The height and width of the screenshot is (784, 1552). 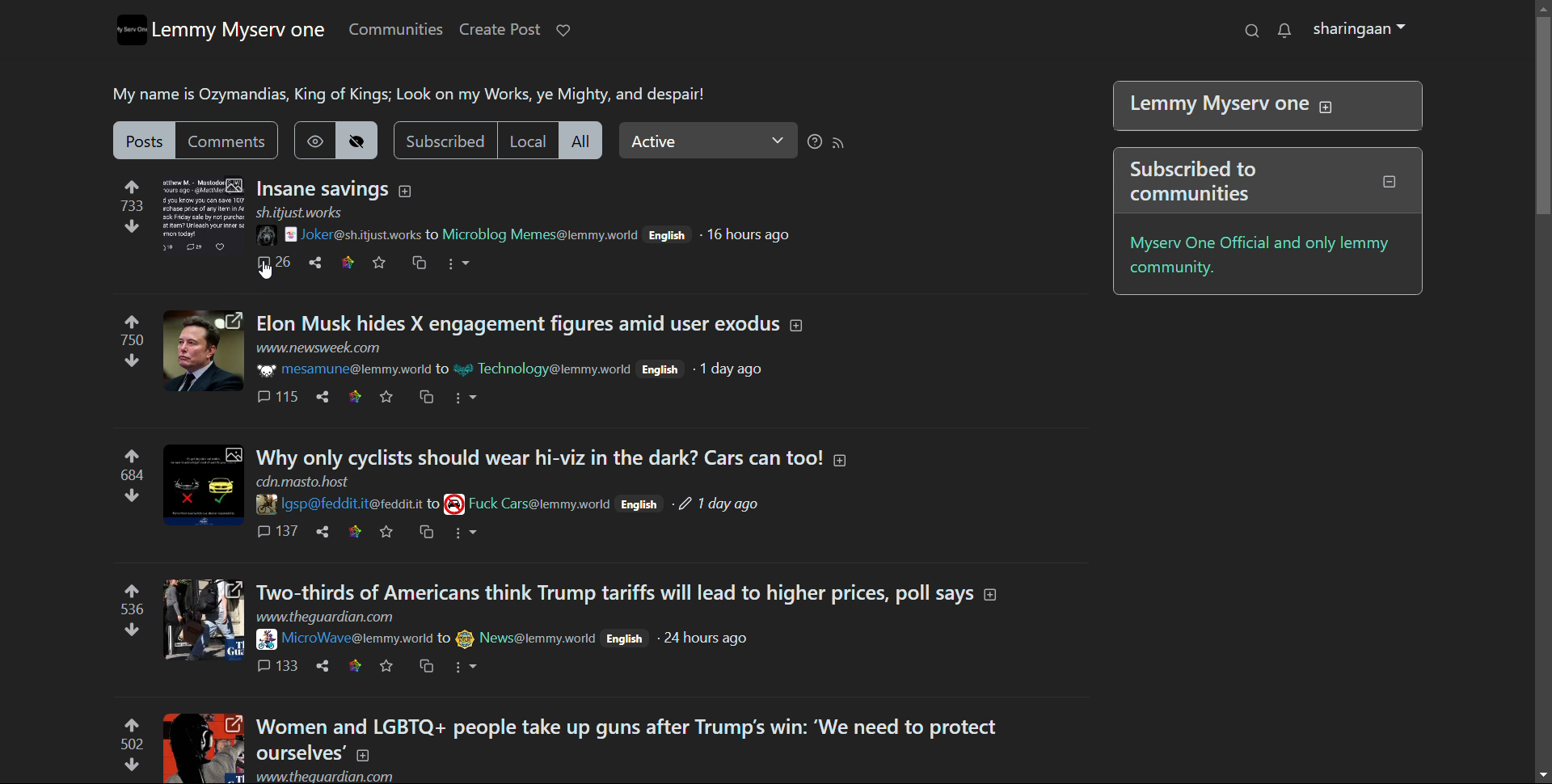 I want to click on crosspost, so click(x=424, y=396).